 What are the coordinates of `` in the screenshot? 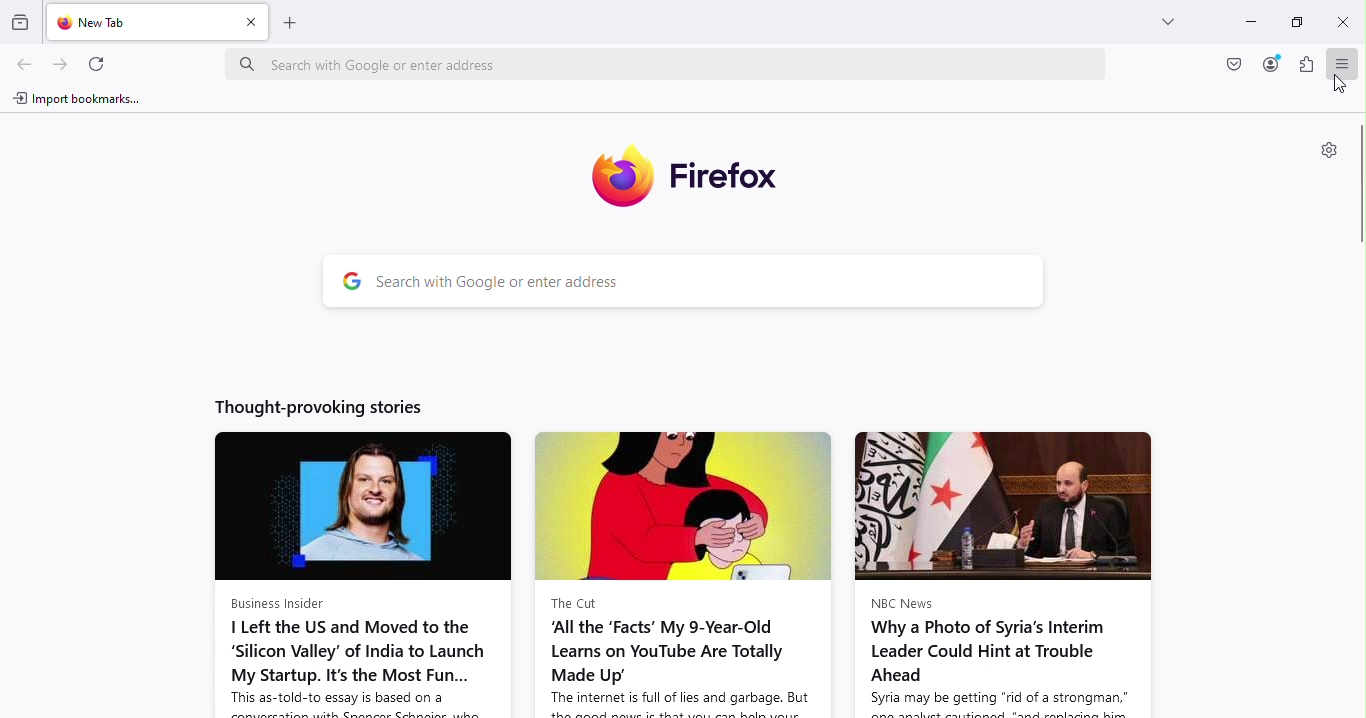 It's located at (1305, 61).